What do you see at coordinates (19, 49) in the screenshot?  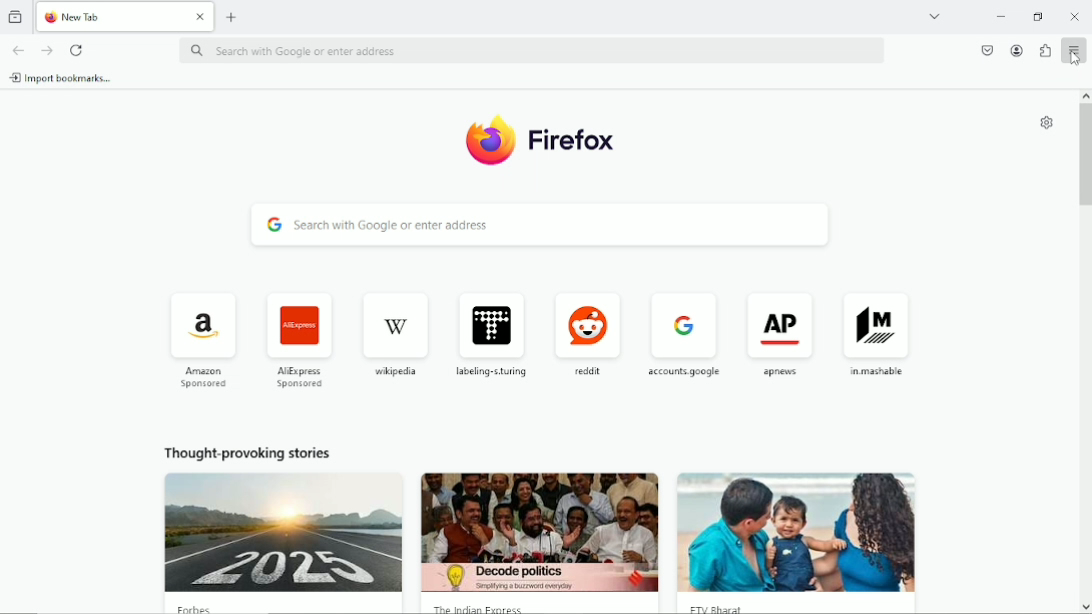 I see `go back` at bounding box center [19, 49].